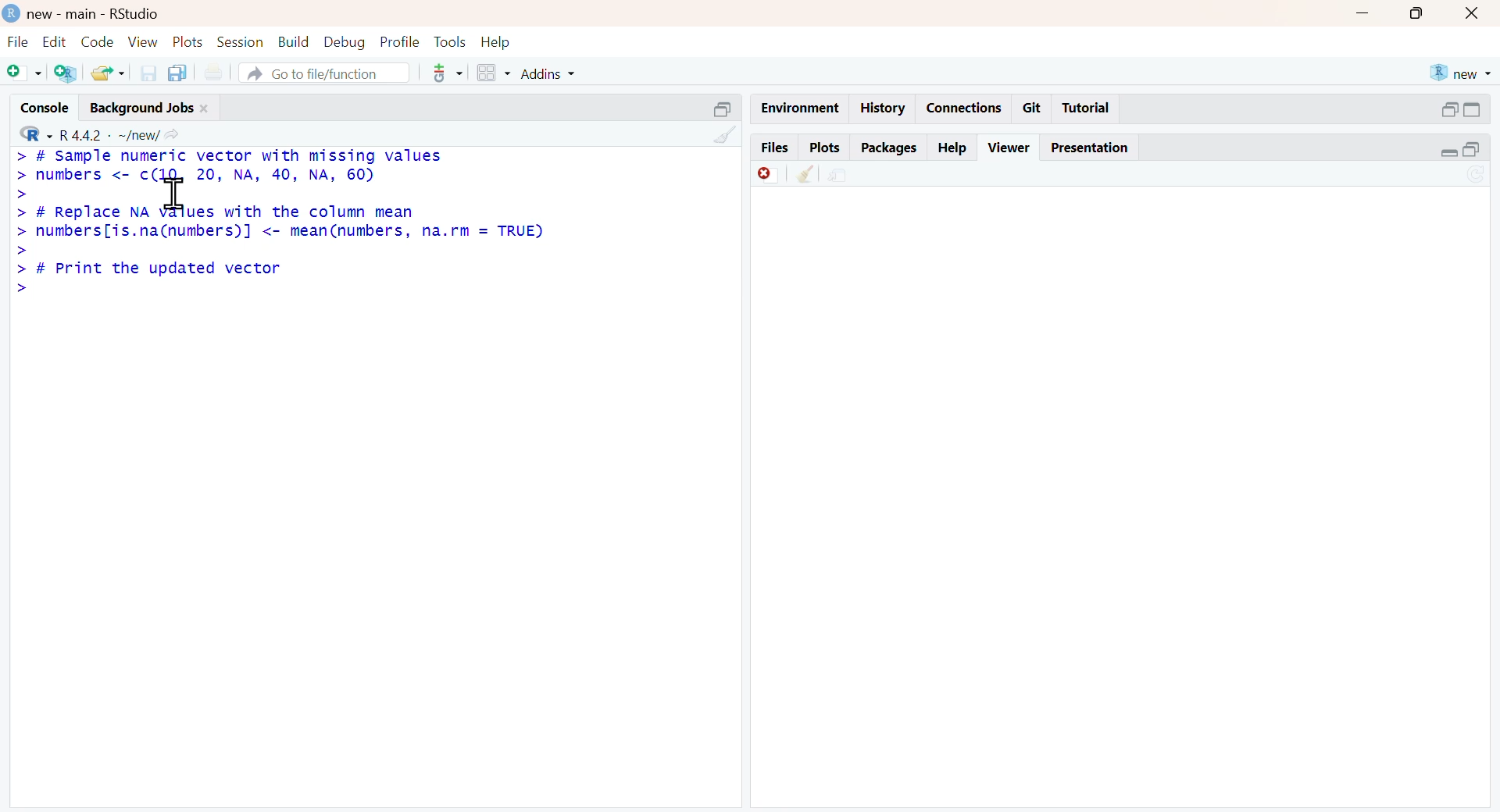 This screenshot has height=812, width=1500. What do you see at coordinates (12, 13) in the screenshot?
I see `logo` at bounding box center [12, 13].